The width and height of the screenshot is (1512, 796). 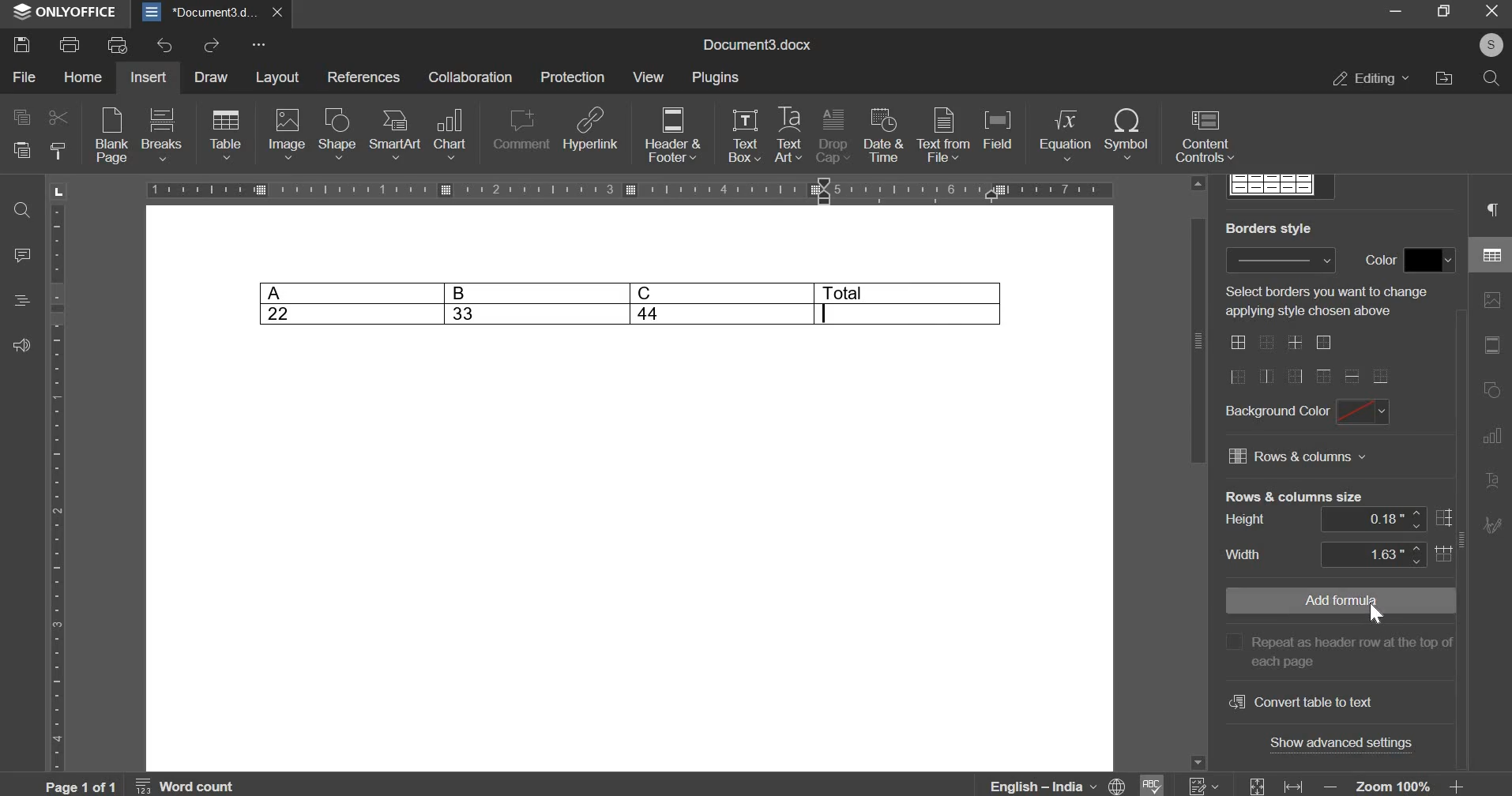 I want to click on border style, so click(x=1280, y=261).